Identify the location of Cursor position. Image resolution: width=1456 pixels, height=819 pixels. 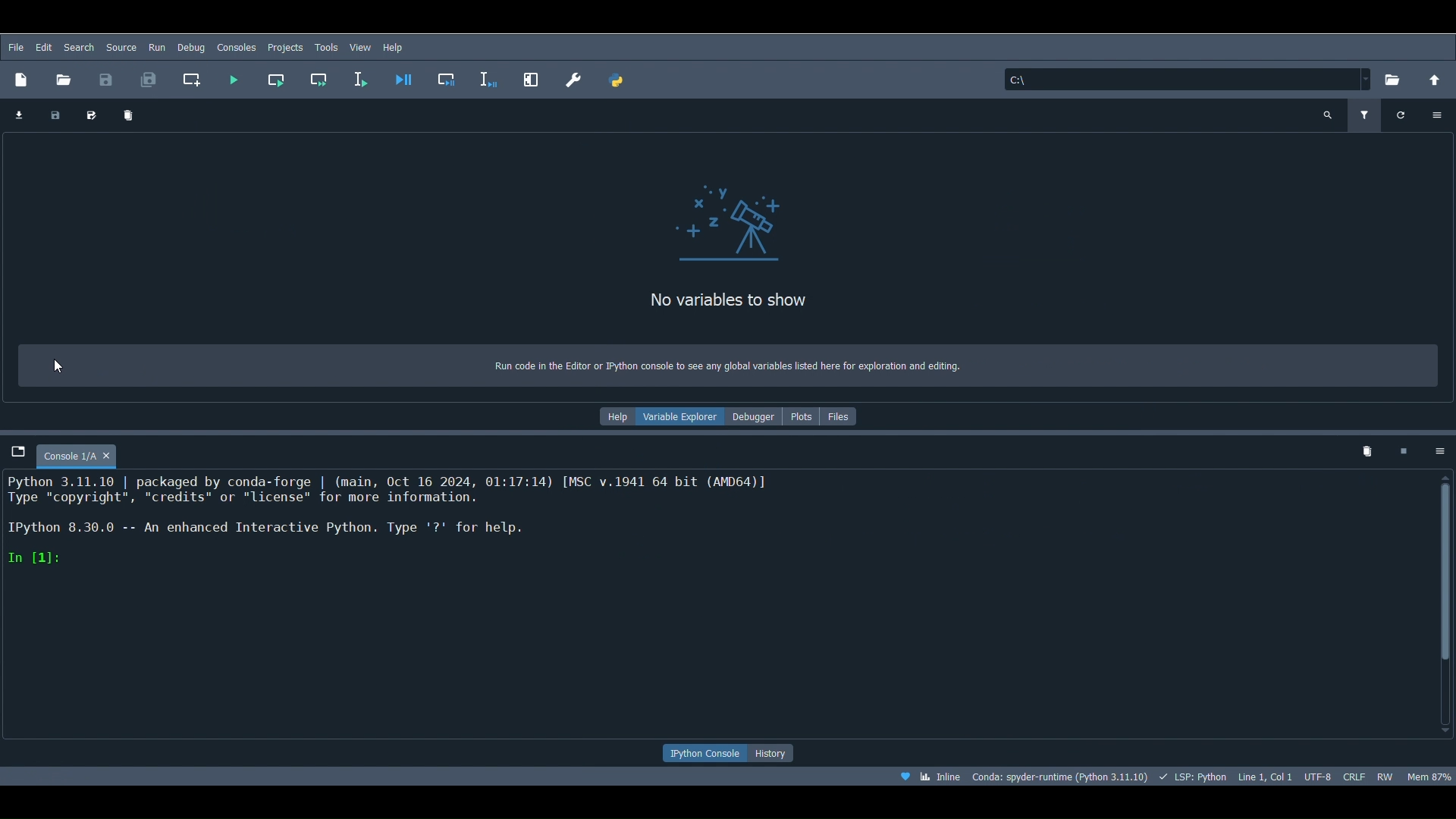
(1266, 775).